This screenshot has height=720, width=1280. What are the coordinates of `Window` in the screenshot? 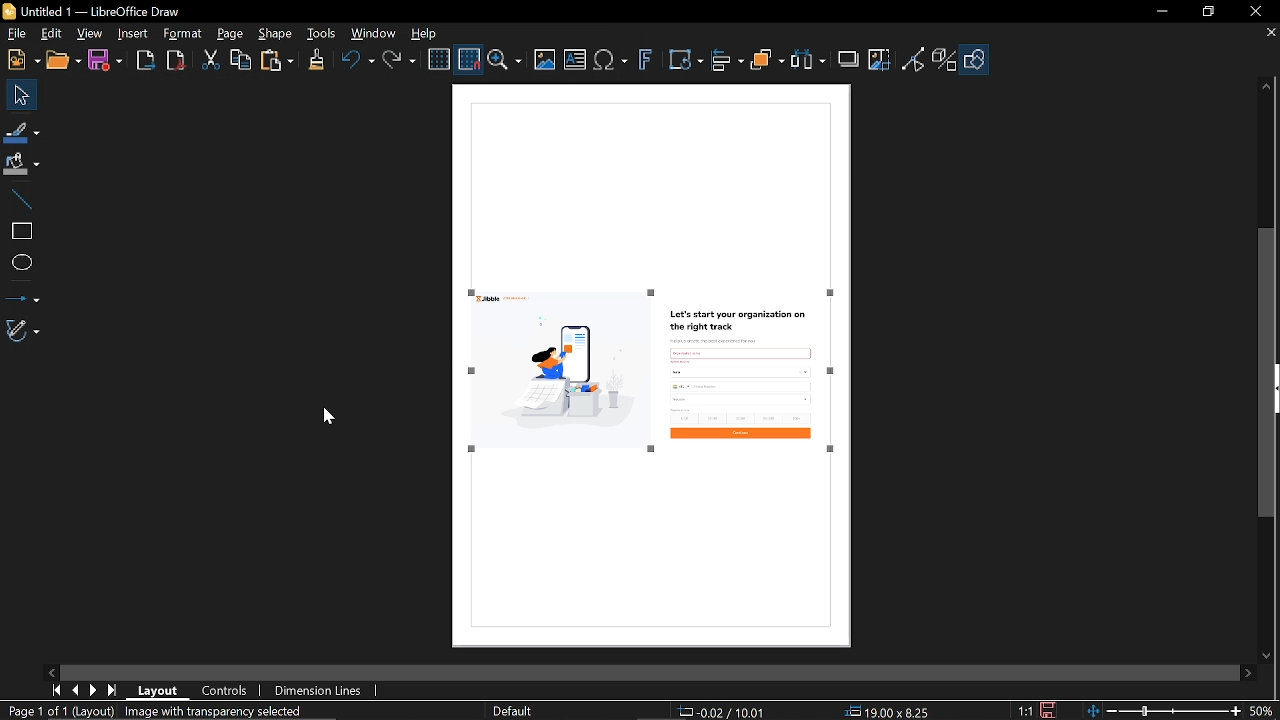 It's located at (374, 36).